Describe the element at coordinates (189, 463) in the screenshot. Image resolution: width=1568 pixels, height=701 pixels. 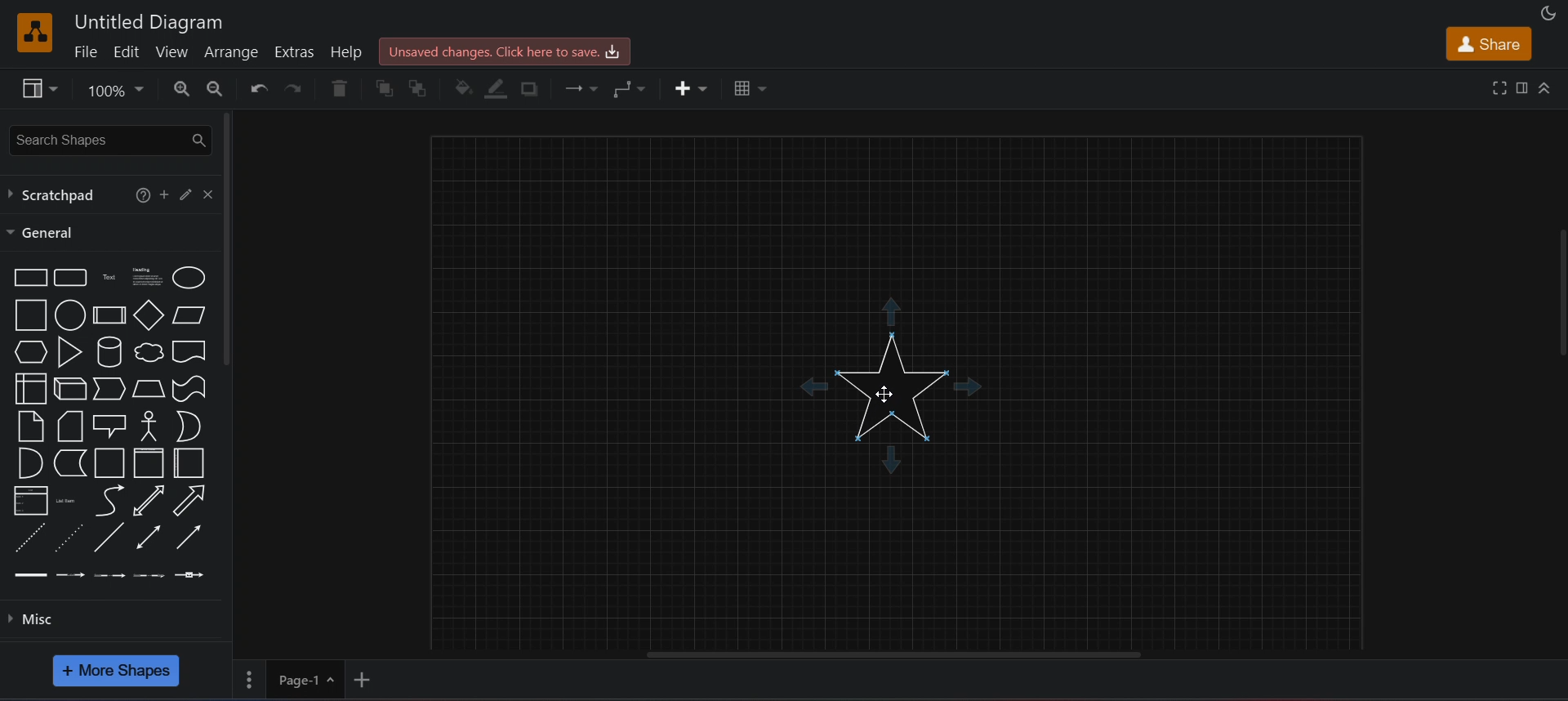
I see `horizontal container` at that location.